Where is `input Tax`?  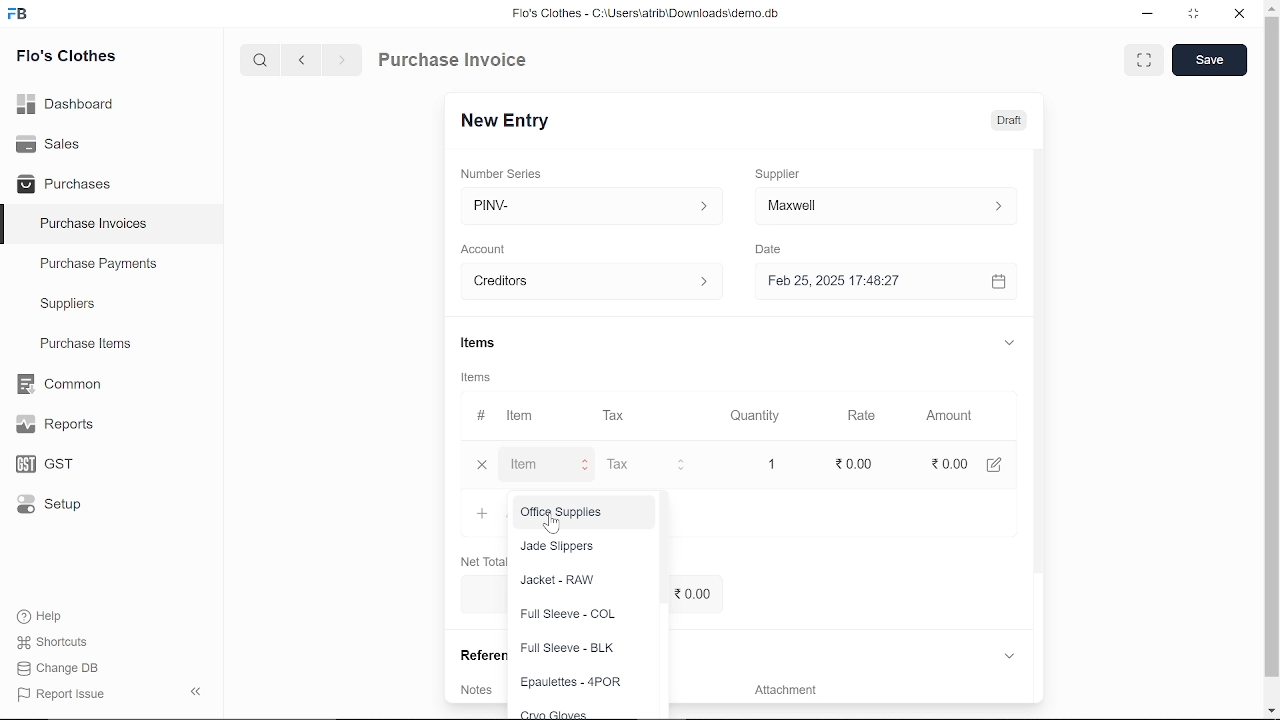
input Tax is located at coordinates (654, 464).